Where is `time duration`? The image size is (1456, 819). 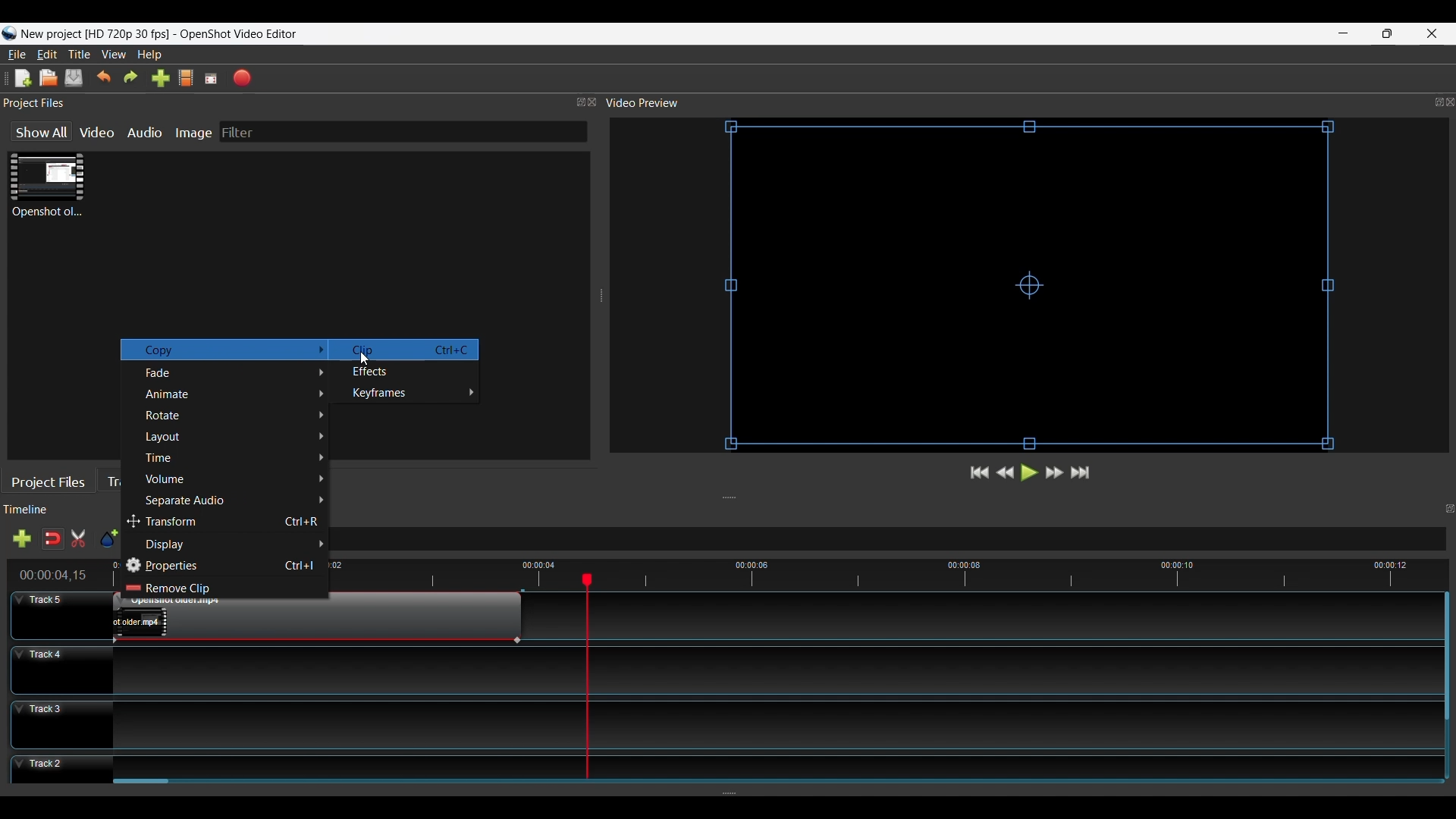
time duration is located at coordinates (55, 575).